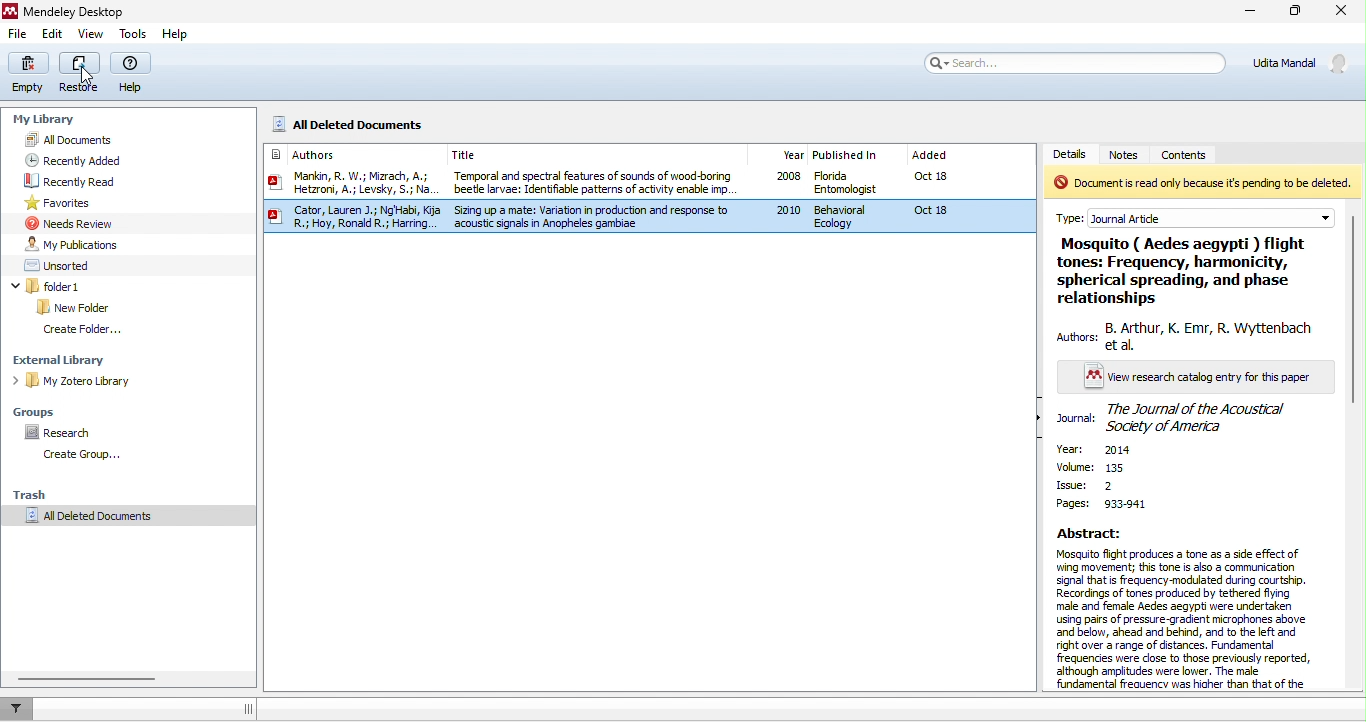 The width and height of the screenshot is (1366, 722). Describe the element at coordinates (1173, 270) in the screenshot. I see `Mosquito ( Aedes aegypti ) flight
tones: Frequency, harmonicity,
spherical spreading, and phase
relationships` at that location.